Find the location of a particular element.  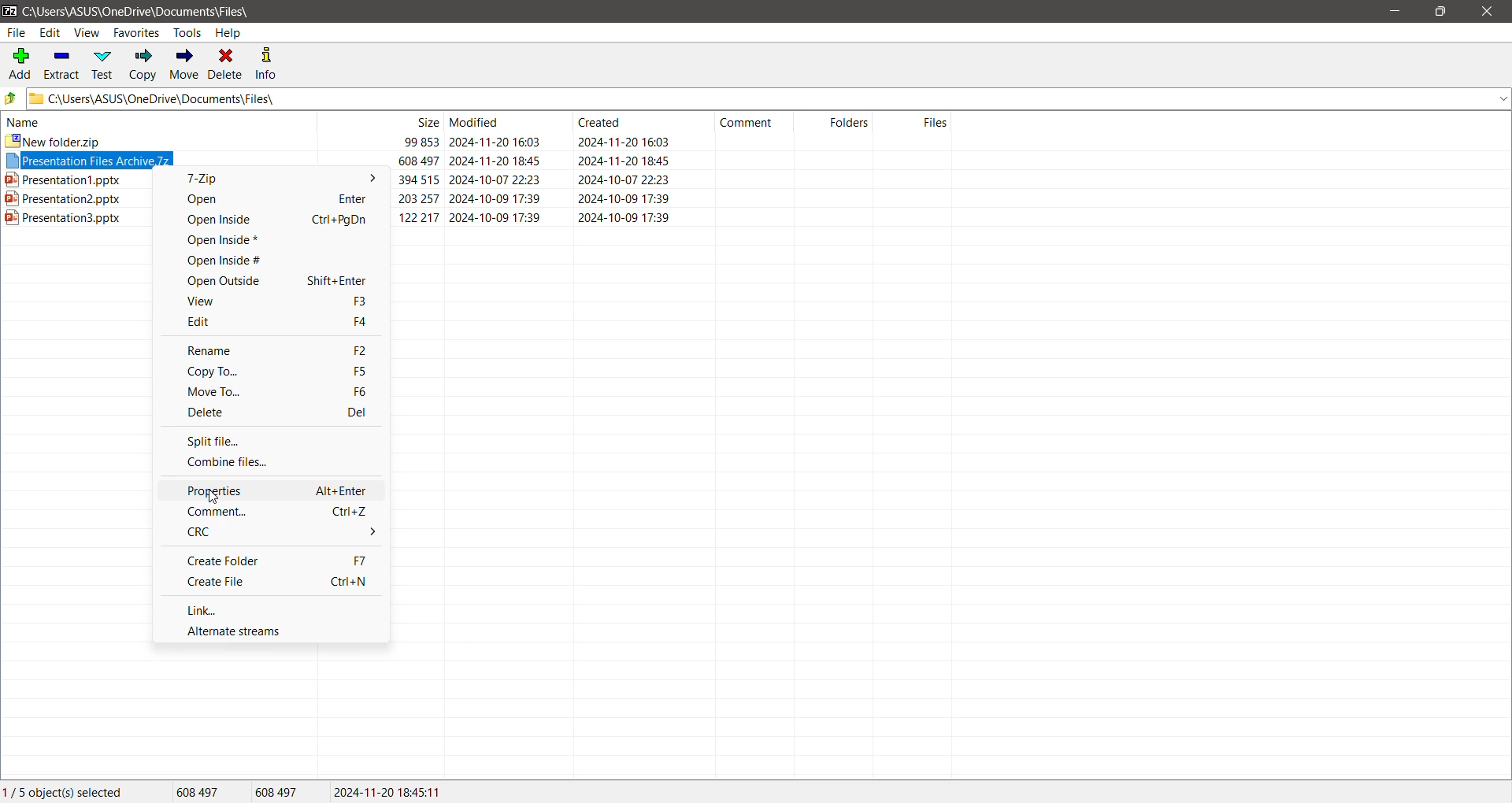

View is located at coordinates (239, 302).